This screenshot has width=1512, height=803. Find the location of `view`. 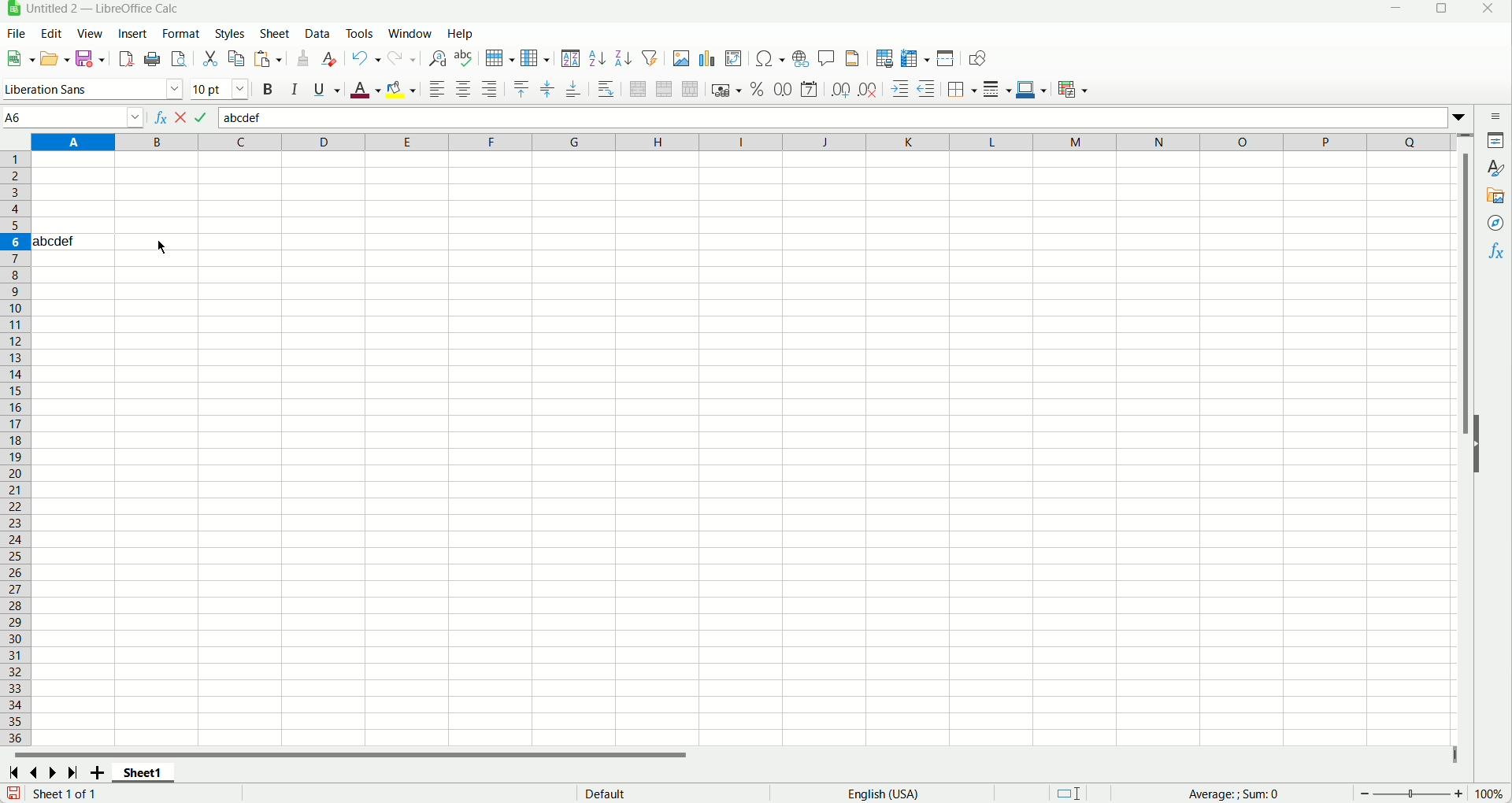

view is located at coordinates (89, 33).